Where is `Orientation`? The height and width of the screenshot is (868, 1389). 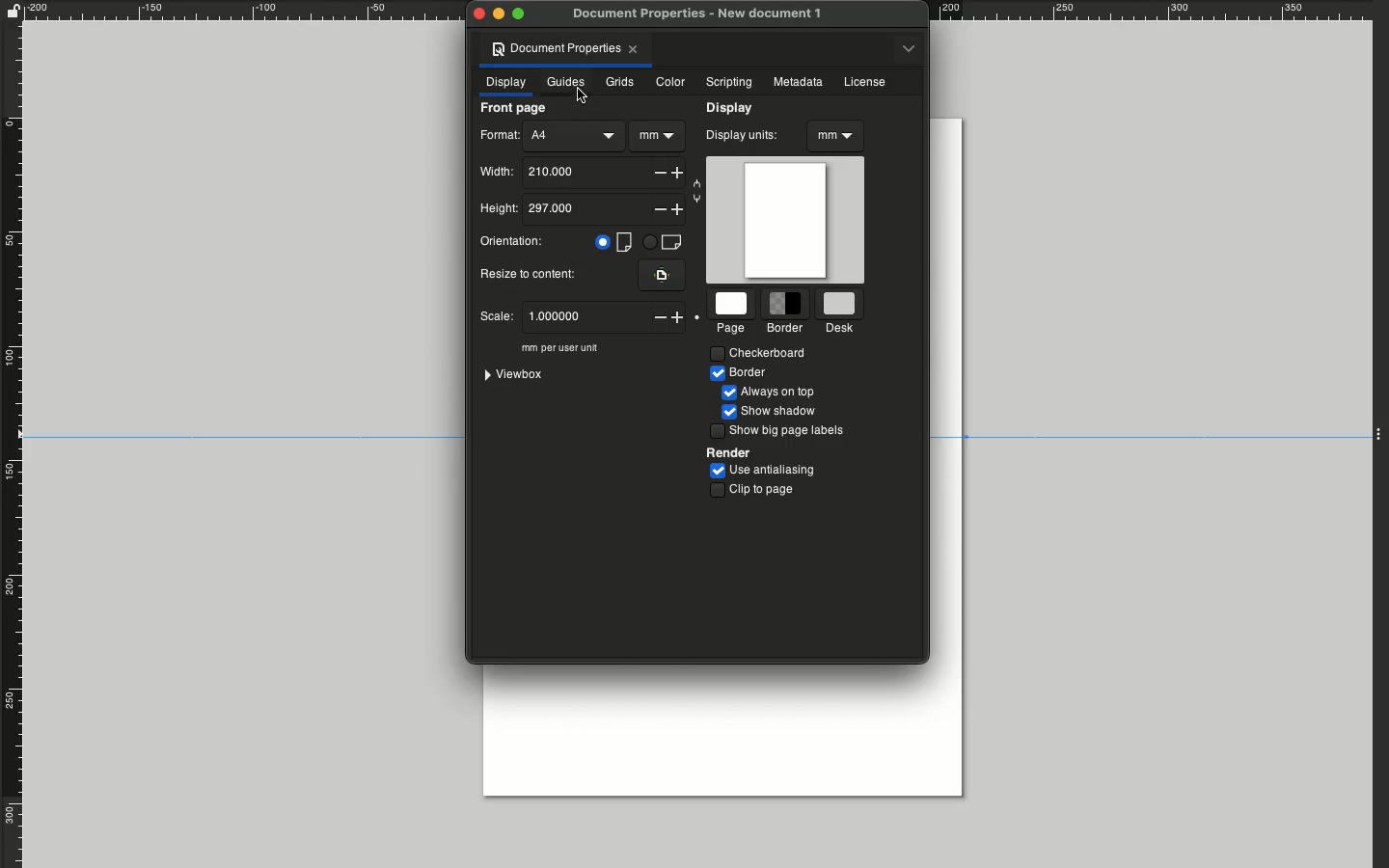 Orientation is located at coordinates (511, 241).